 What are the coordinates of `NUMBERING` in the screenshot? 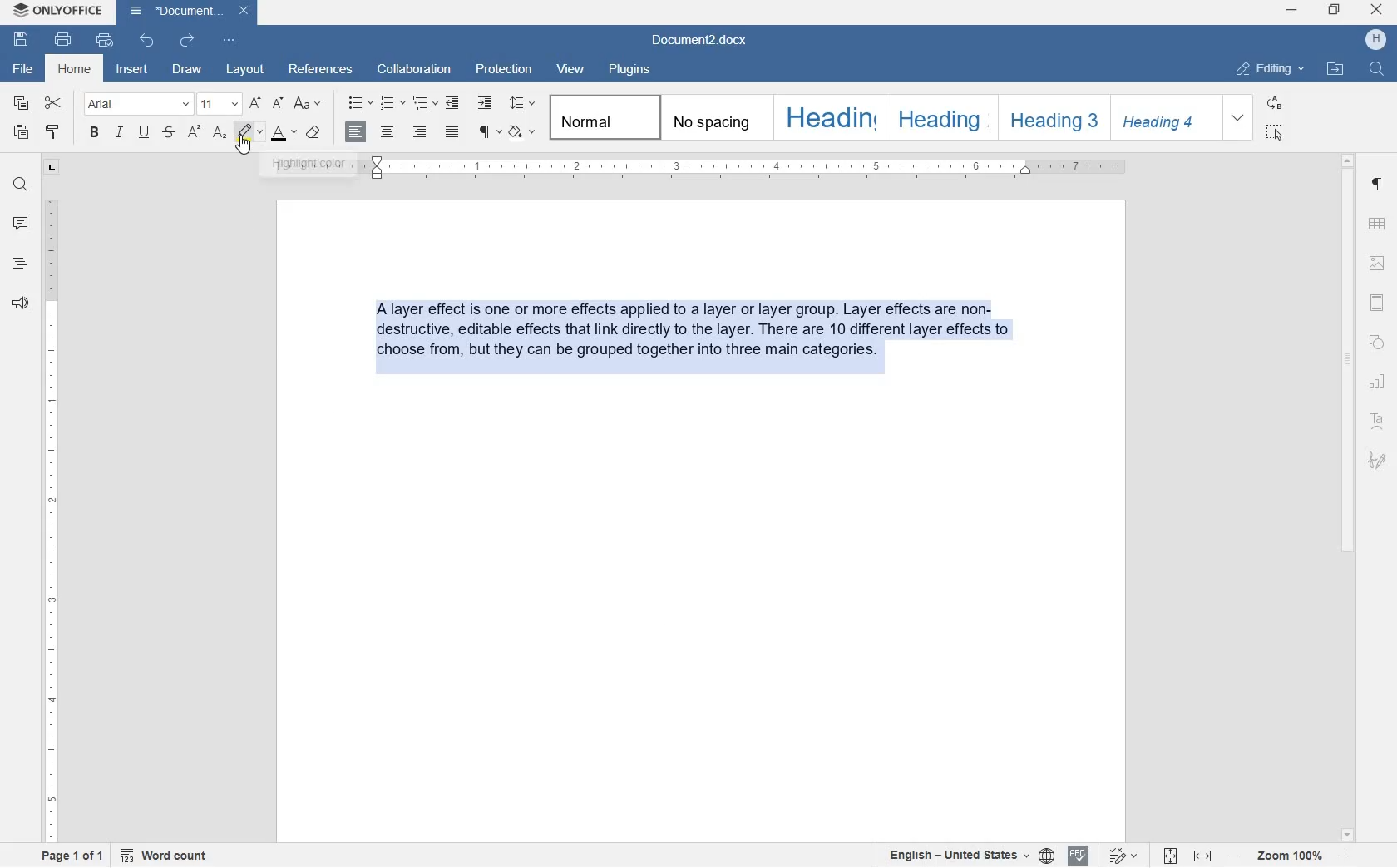 It's located at (392, 102).